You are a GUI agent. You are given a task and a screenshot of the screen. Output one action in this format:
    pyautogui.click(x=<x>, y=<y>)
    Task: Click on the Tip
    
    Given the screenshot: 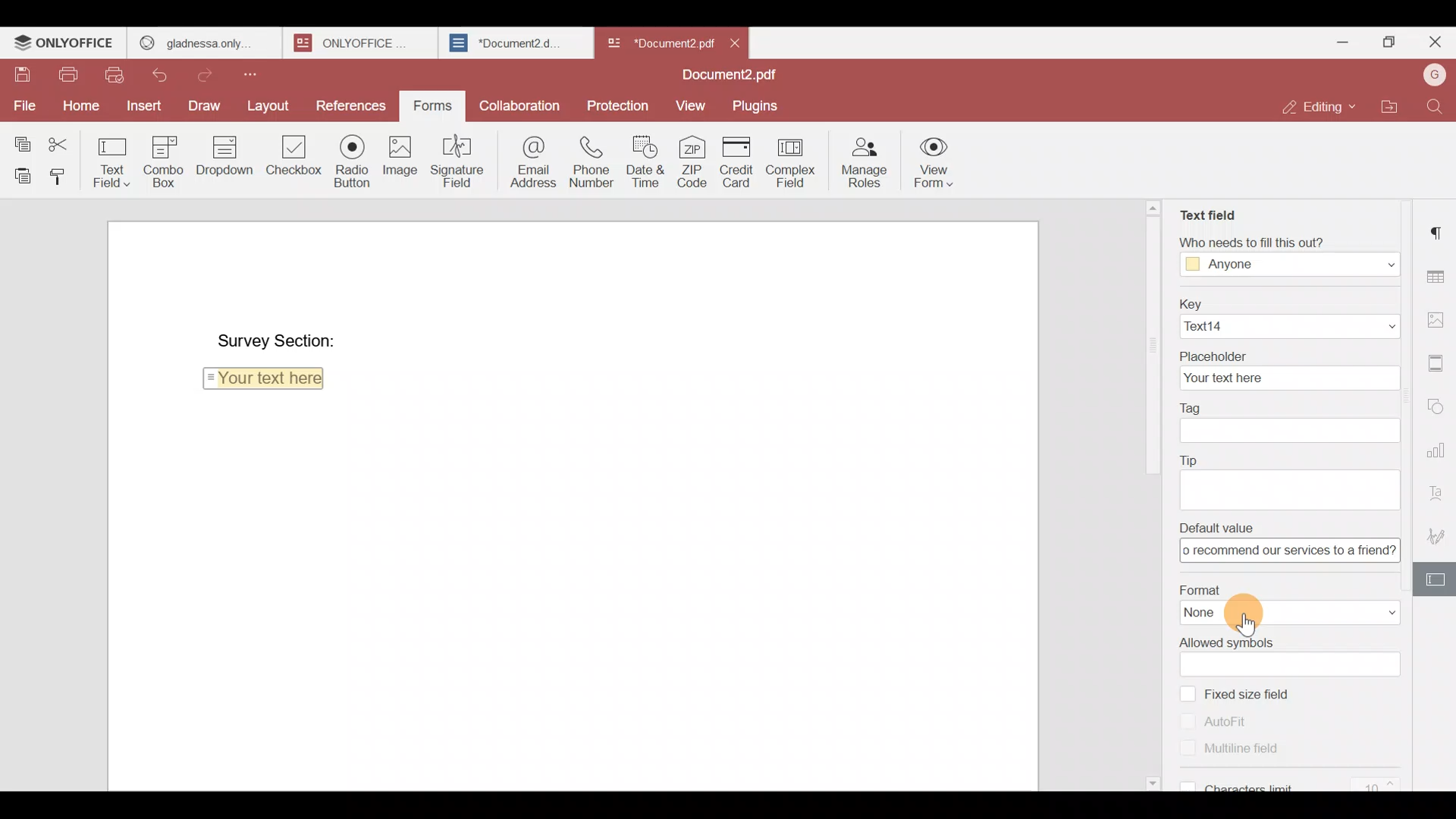 What is the action you would take?
    pyautogui.click(x=1288, y=460)
    